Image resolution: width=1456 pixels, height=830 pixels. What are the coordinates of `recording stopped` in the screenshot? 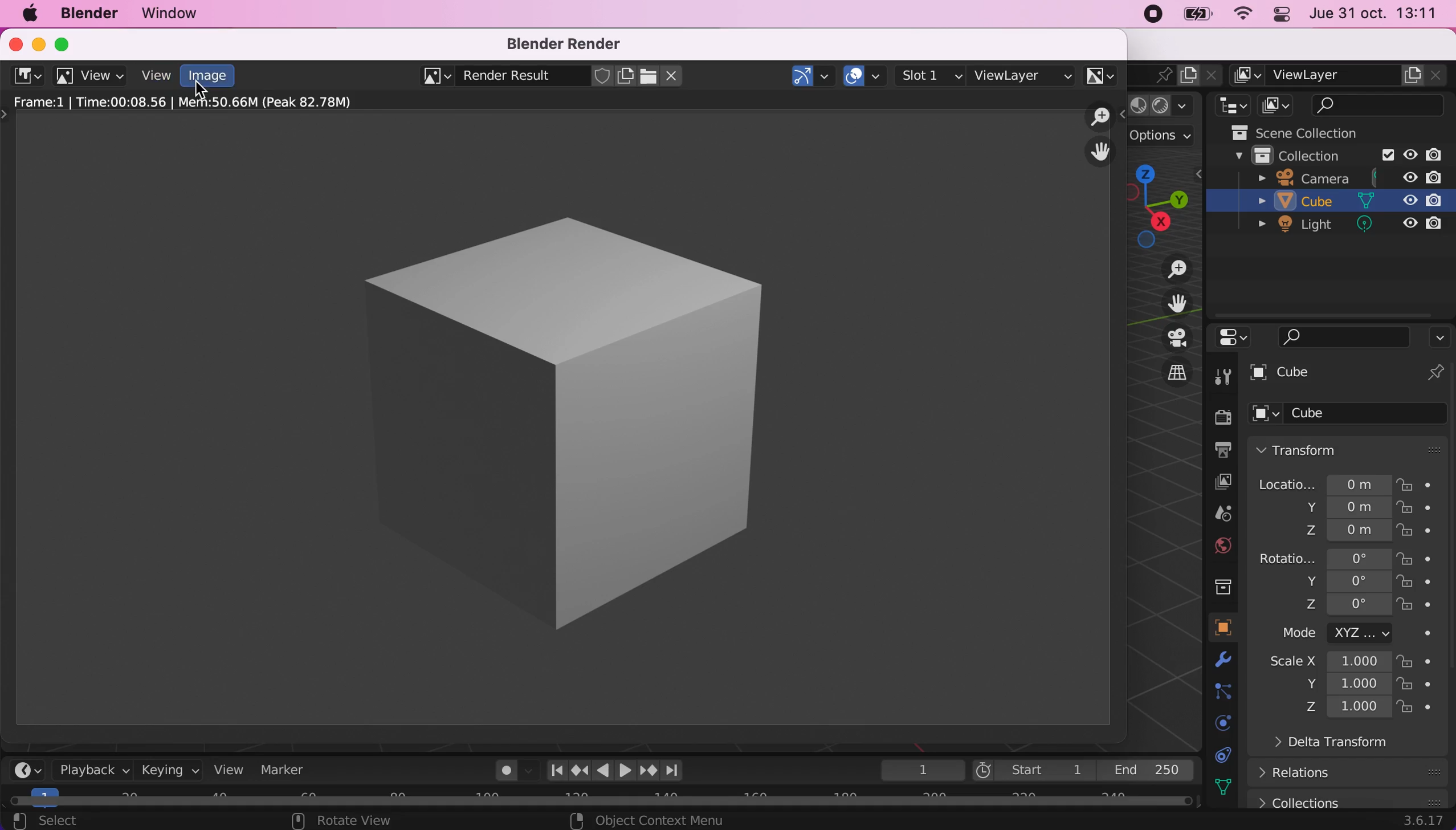 It's located at (1150, 15).